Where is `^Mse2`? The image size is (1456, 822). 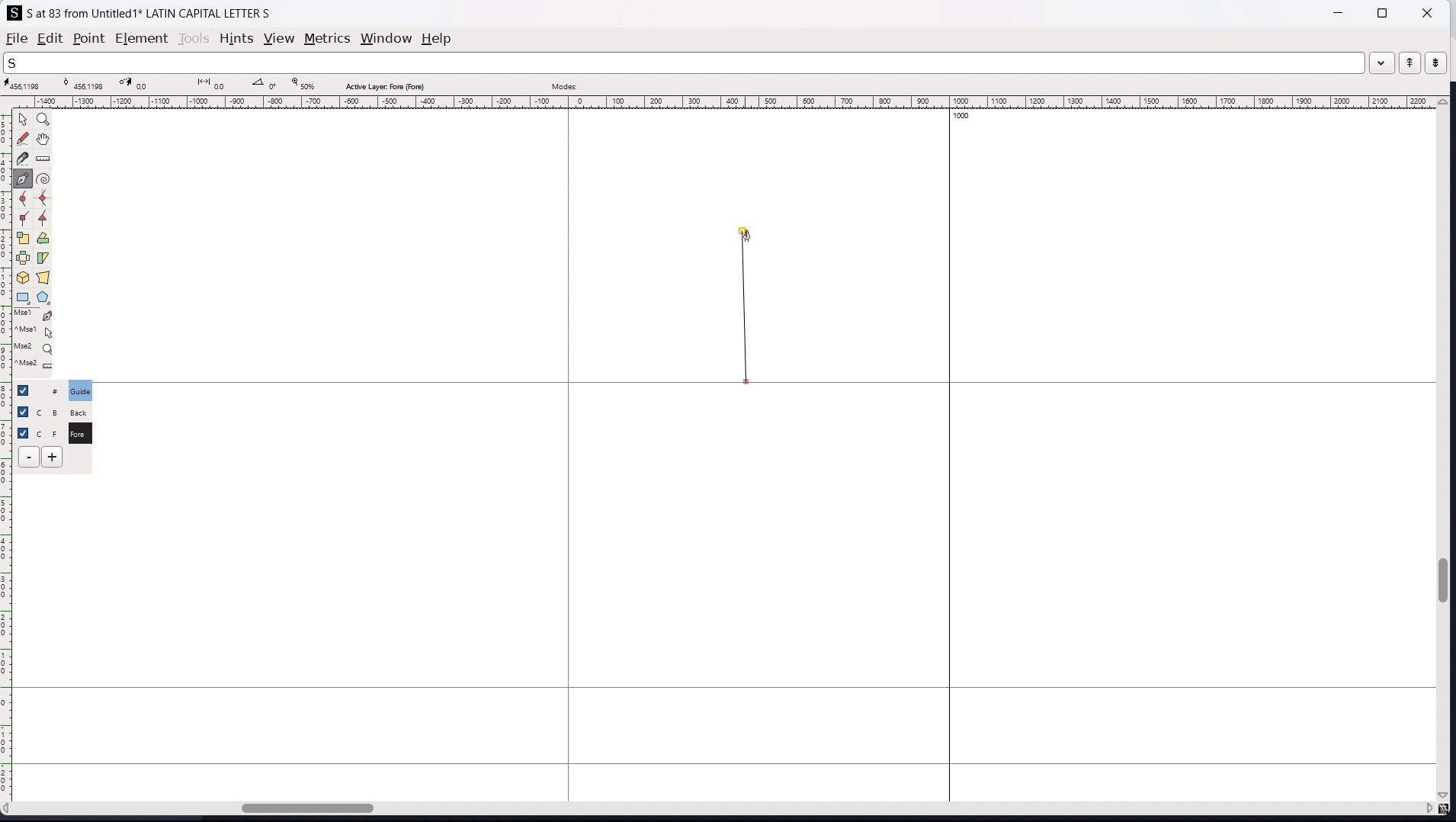
^Mse2 is located at coordinates (35, 366).